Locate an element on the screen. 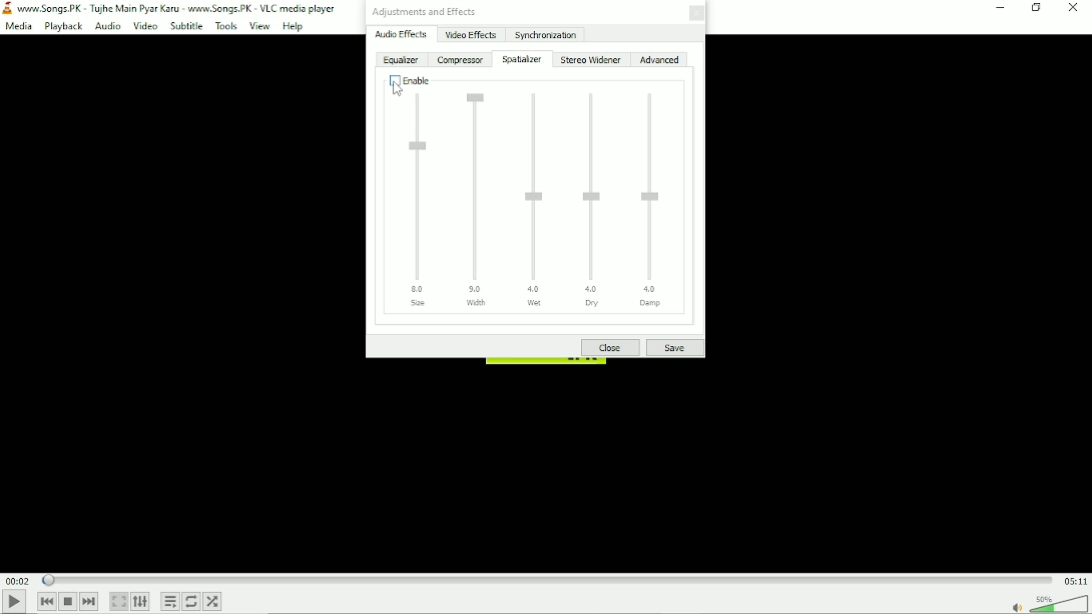 The width and height of the screenshot is (1092, 614). Adjustments and effects is located at coordinates (423, 12).